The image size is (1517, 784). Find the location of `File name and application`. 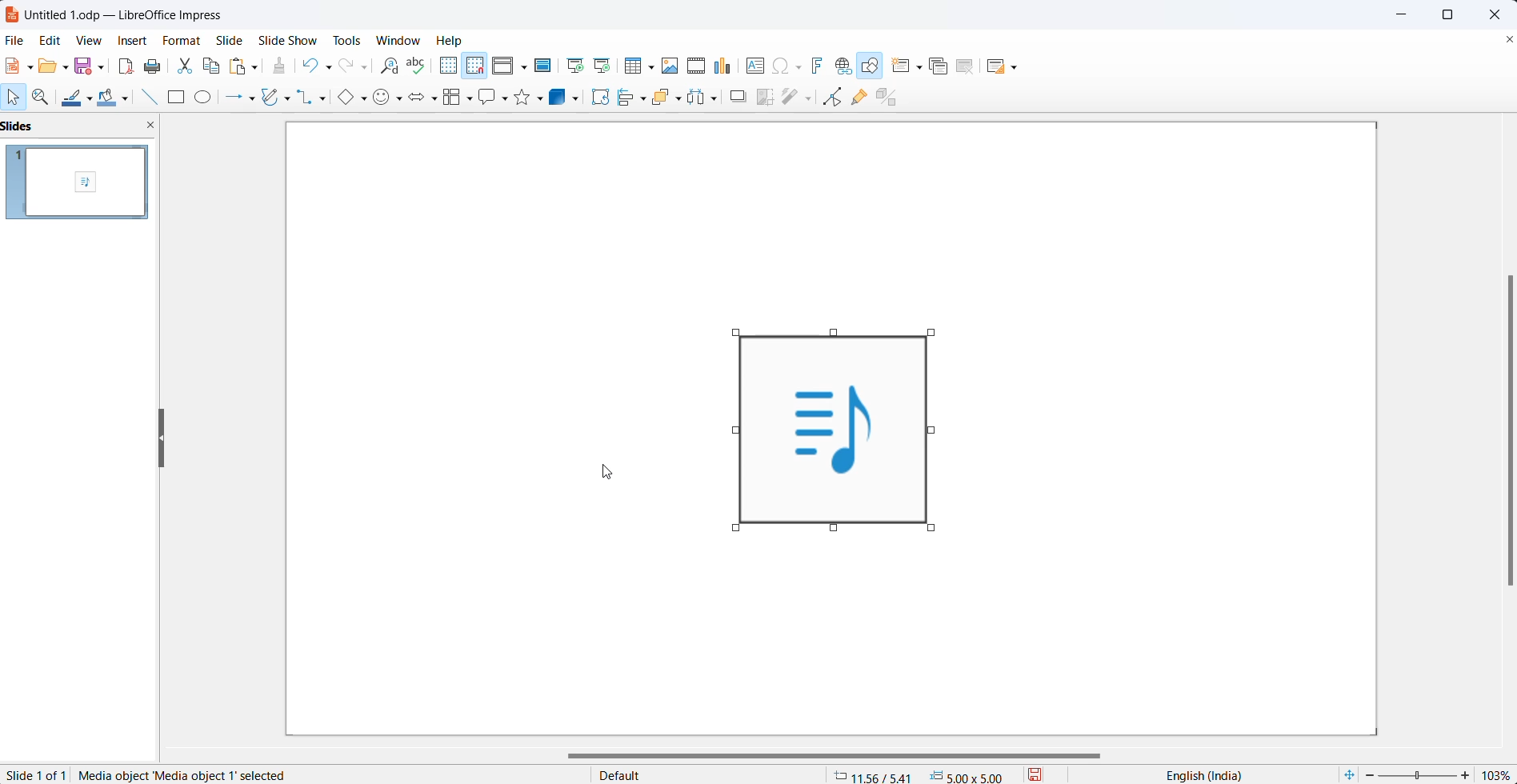

File name and application is located at coordinates (139, 13).